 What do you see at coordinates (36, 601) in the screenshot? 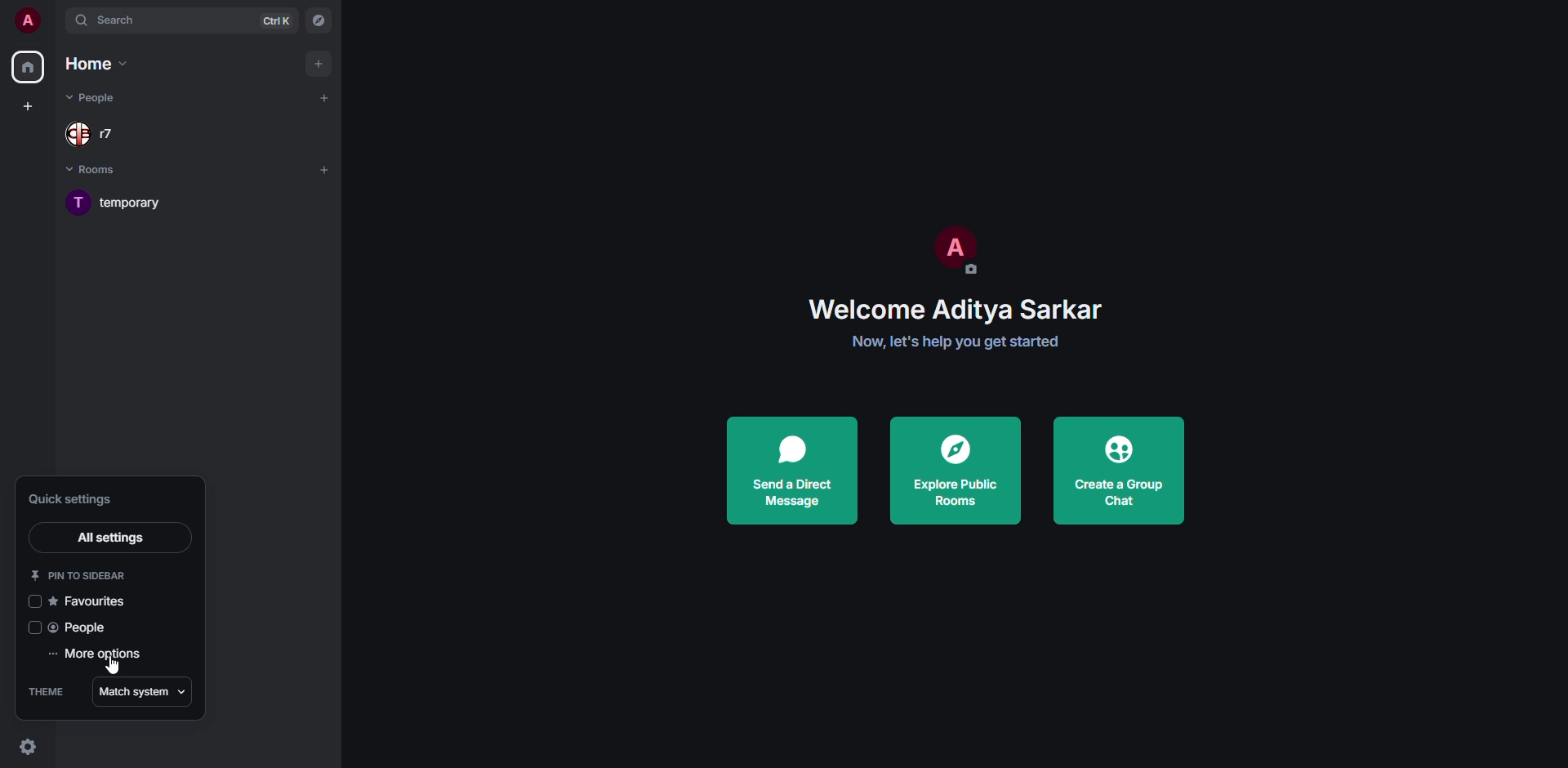
I see `click to enable` at bounding box center [36, 601].